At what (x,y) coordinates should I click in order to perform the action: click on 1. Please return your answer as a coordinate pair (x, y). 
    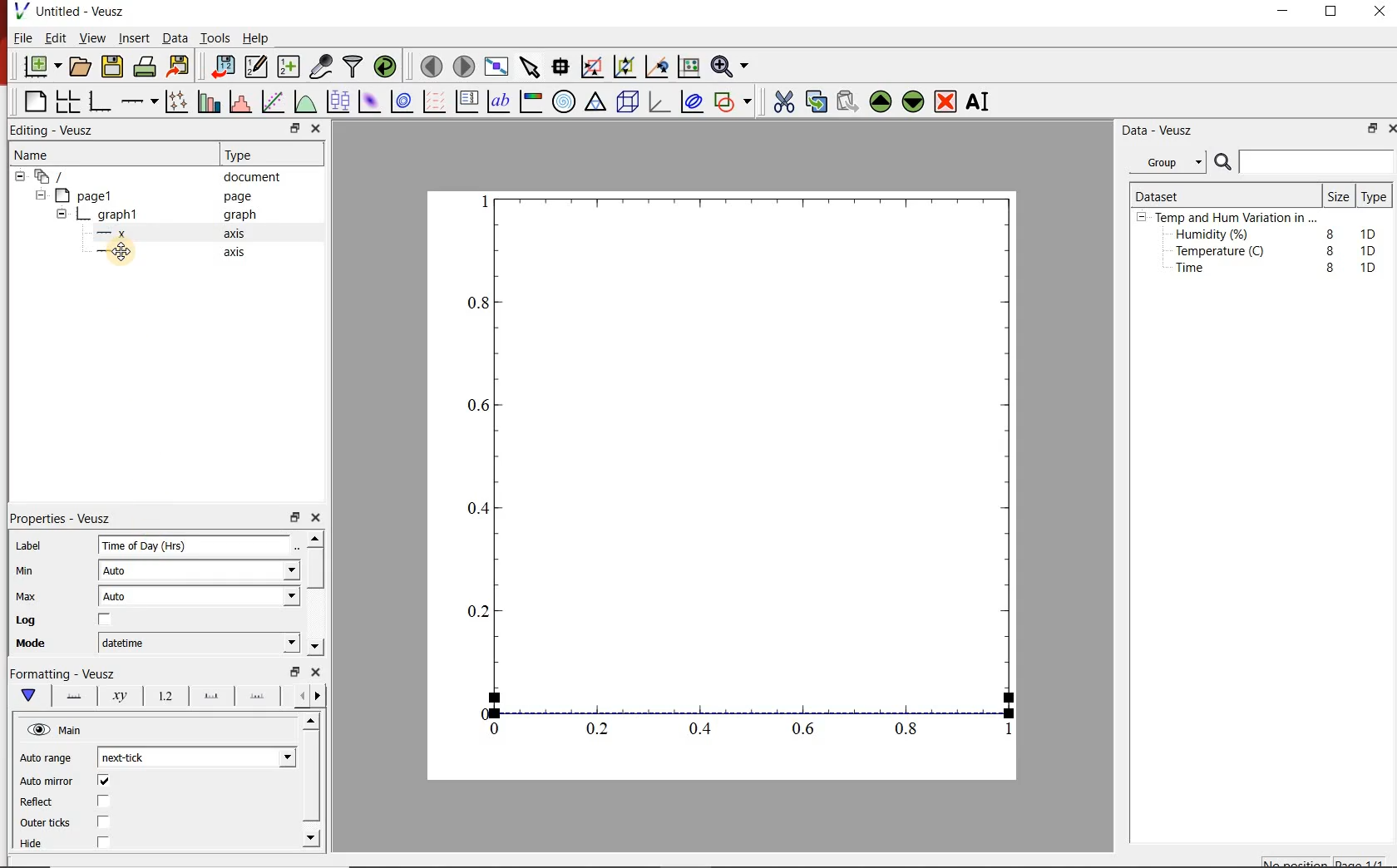
    Looking at the image, I should click on (481, 200).